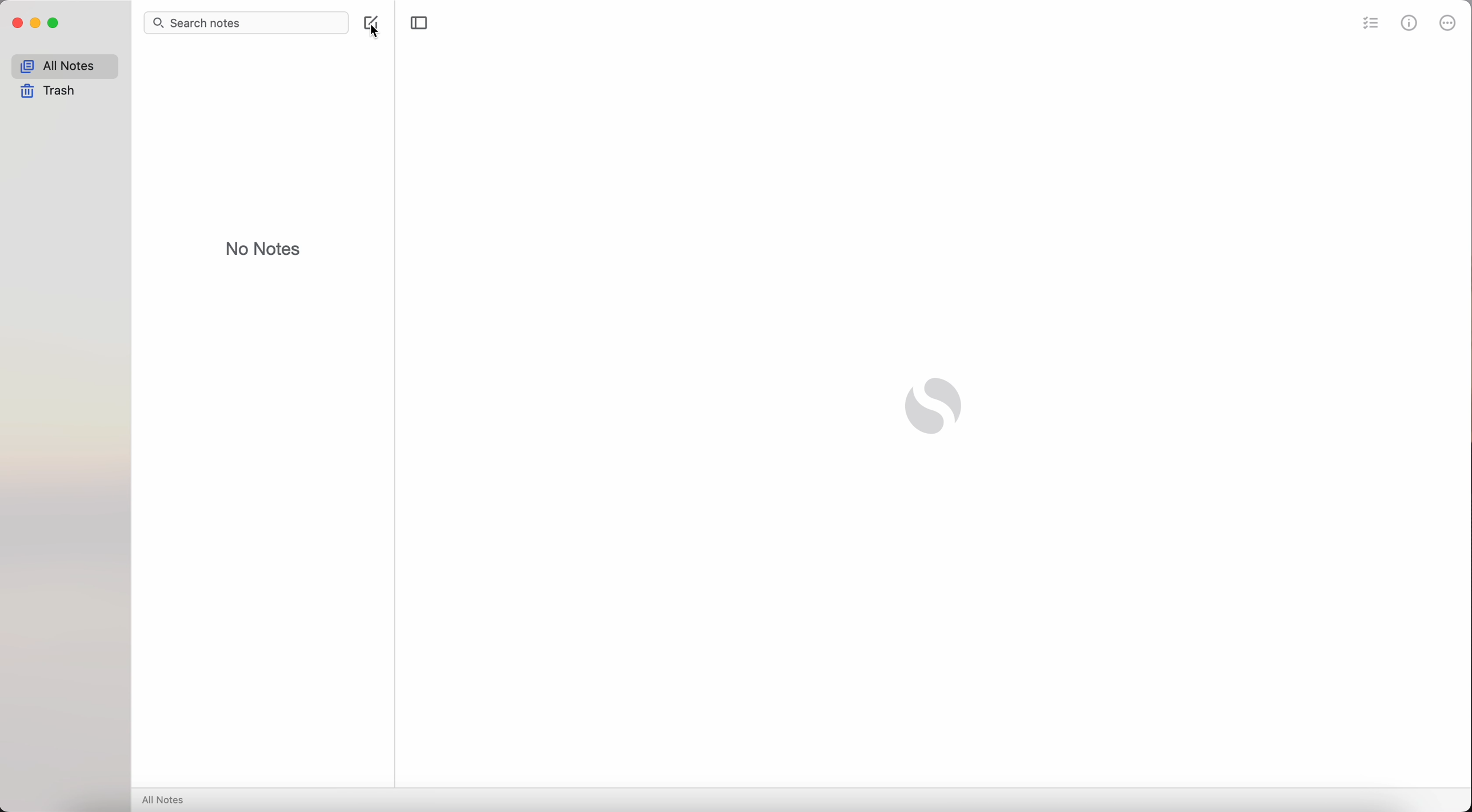  Describe the element at coordinates (266, 247) in the screenshot. I see `No notes` at that location.